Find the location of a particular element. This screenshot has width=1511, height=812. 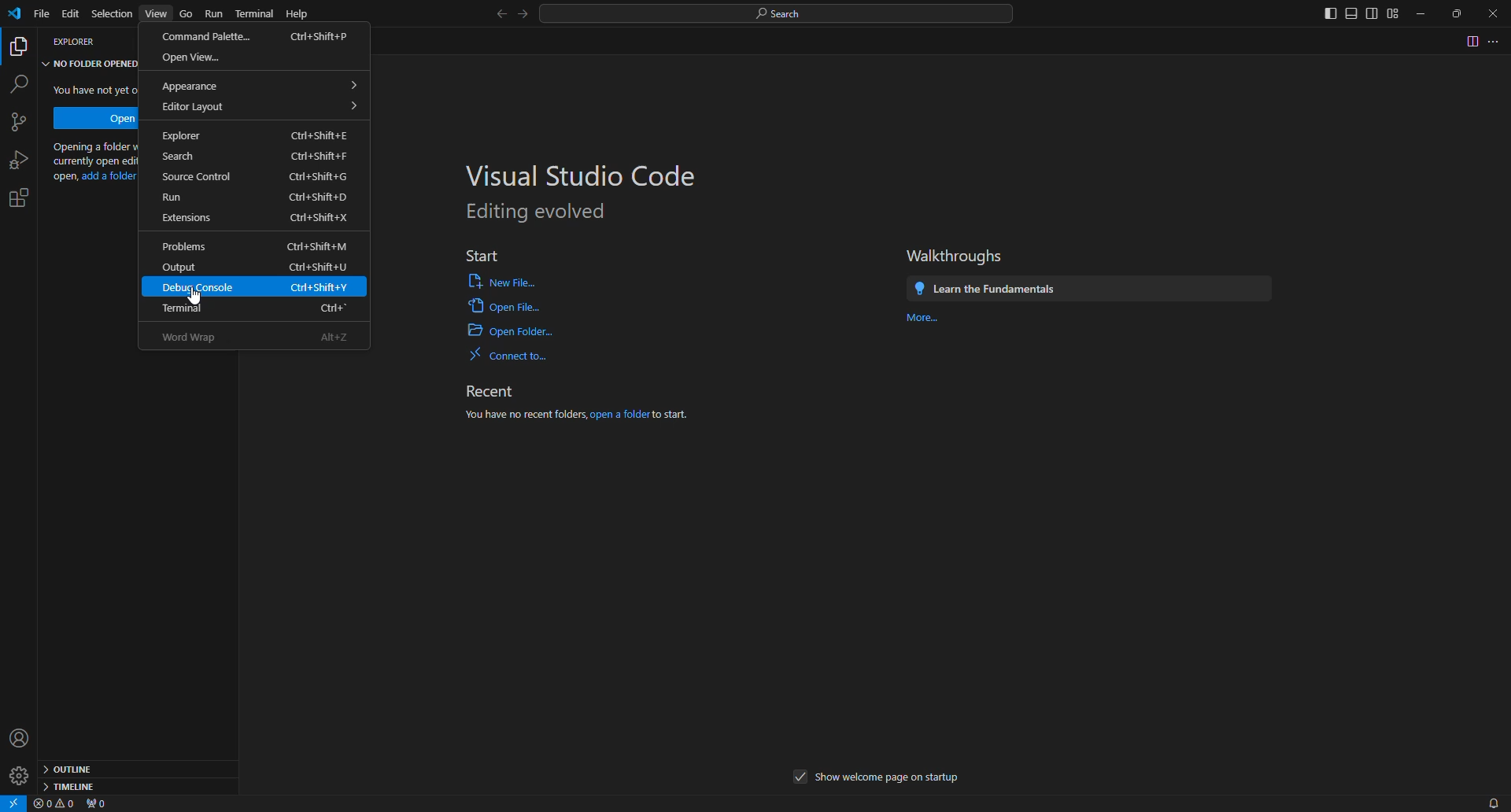

Connect to is located at coordinates (507, 354).